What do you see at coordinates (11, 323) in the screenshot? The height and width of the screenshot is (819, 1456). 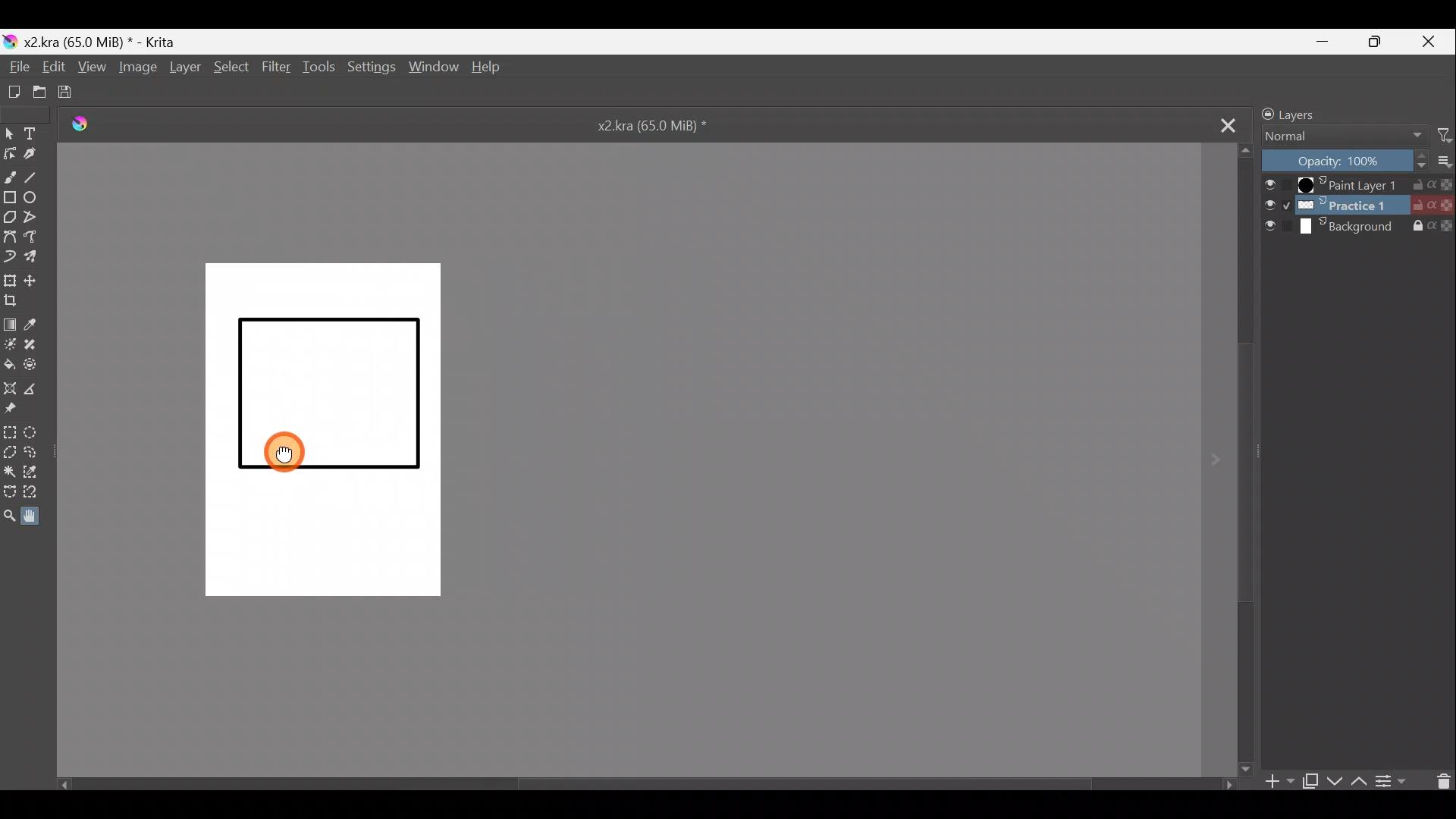 I see `Draw a gradient` at bounding box center [11, 323].